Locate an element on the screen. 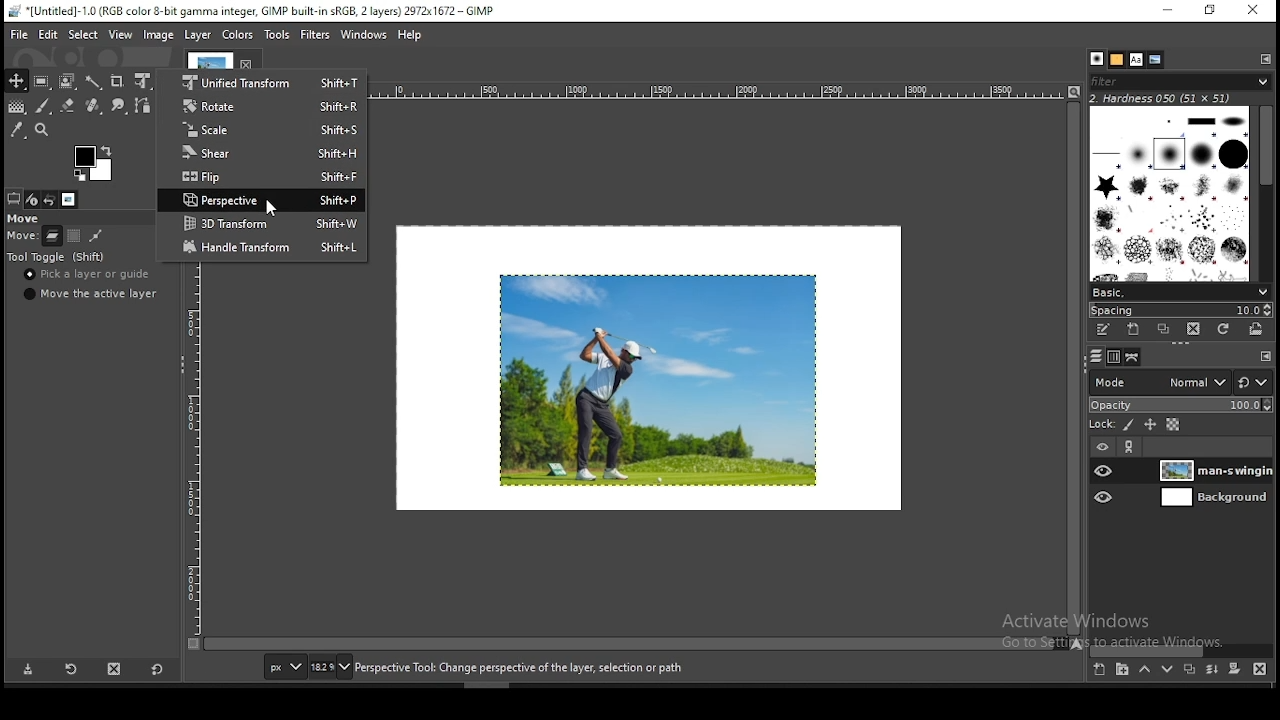 This screenshot has width=1280, height=720. open brush as image is located at coordinates (1256, 329).